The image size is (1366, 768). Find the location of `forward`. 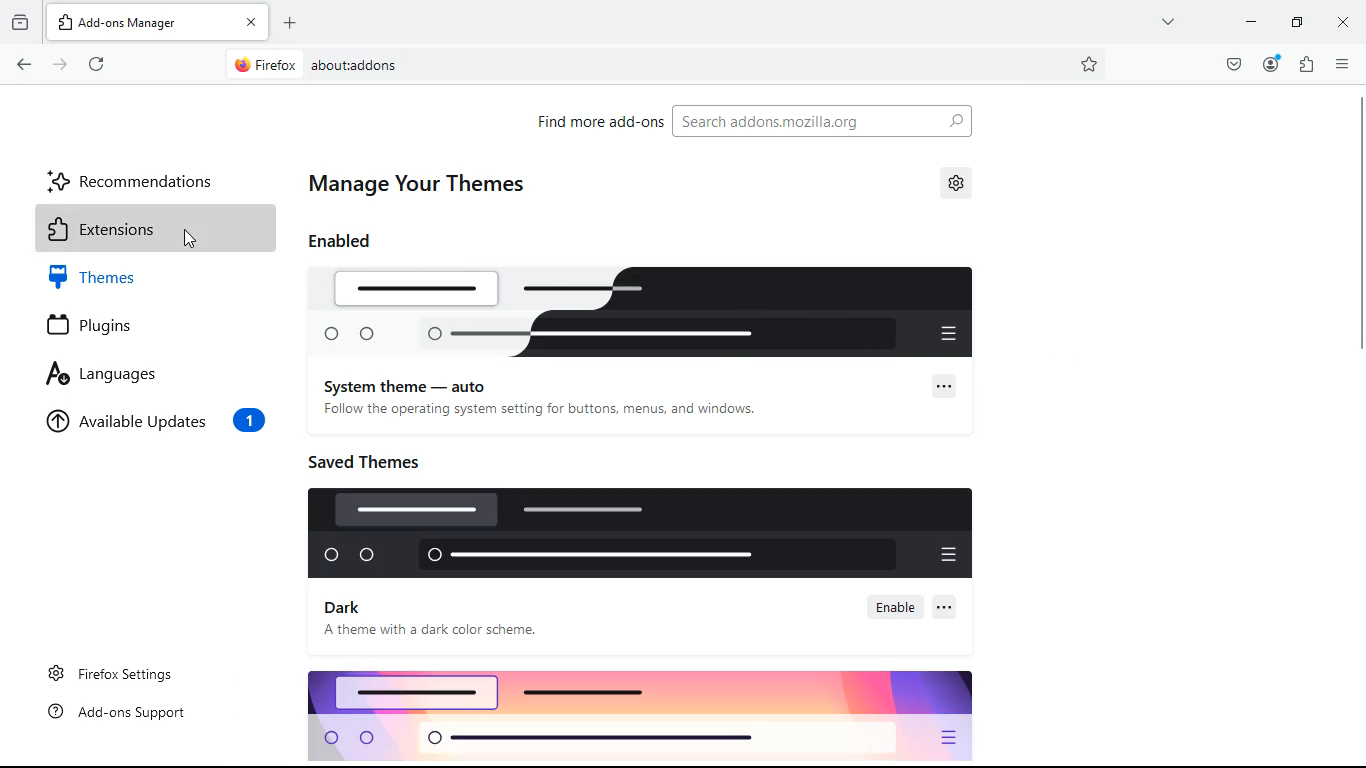

forward is located at coordinates (58, 66).